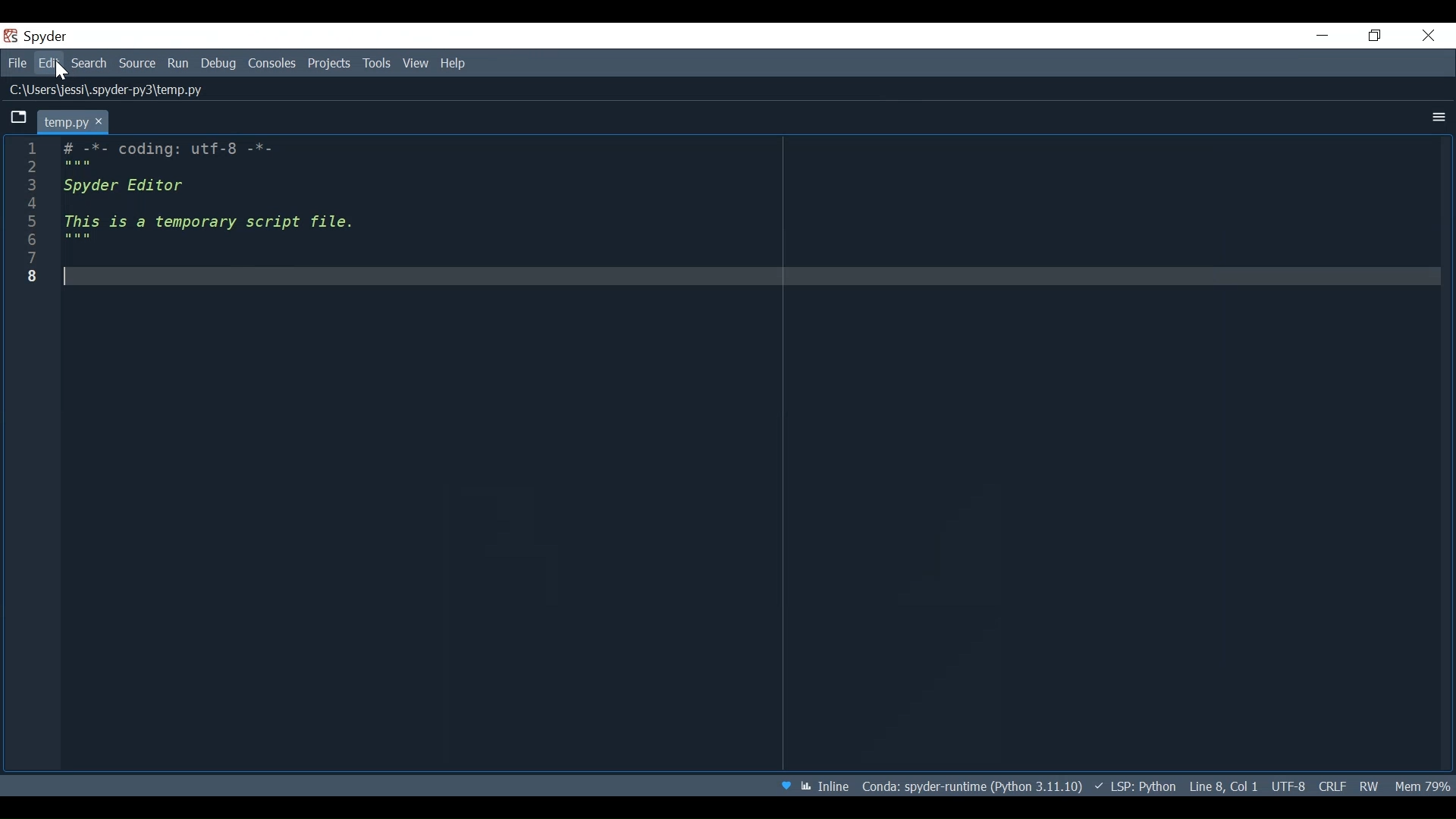  I want to click on Debug, so click(219, 65).